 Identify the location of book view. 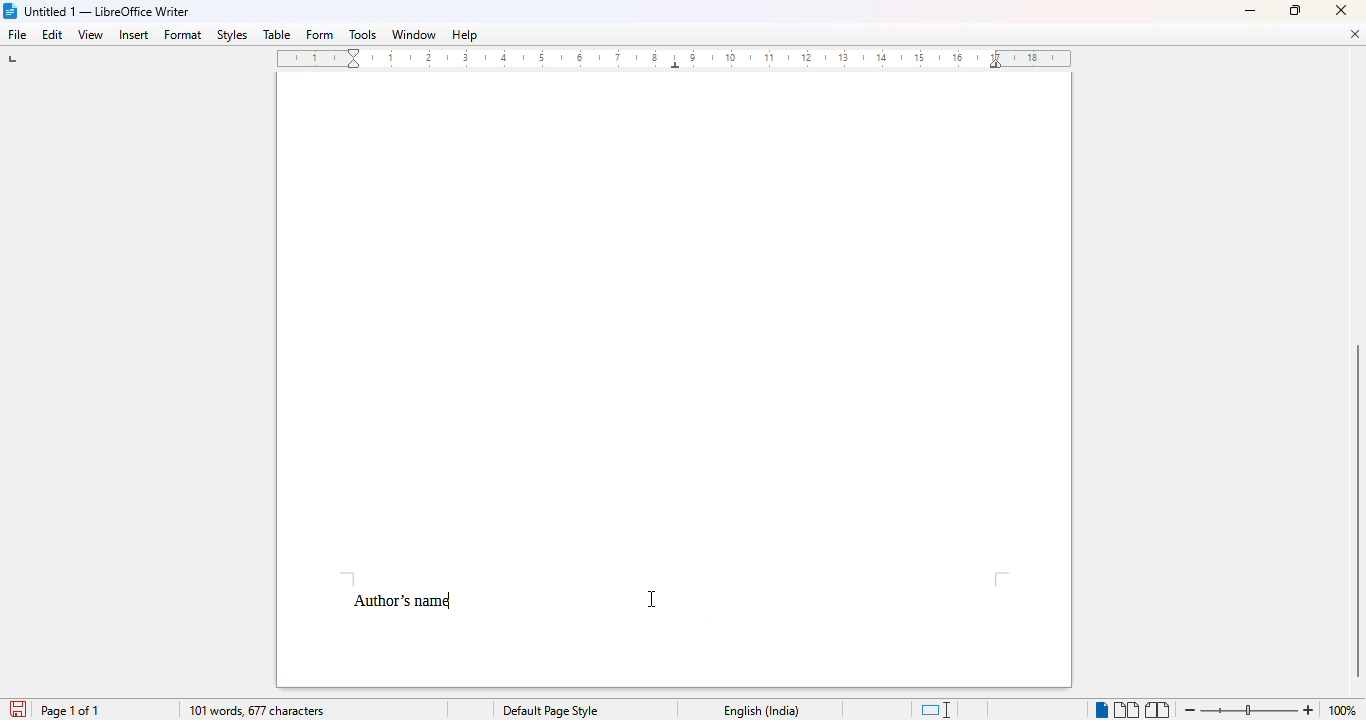
(1156, 710).